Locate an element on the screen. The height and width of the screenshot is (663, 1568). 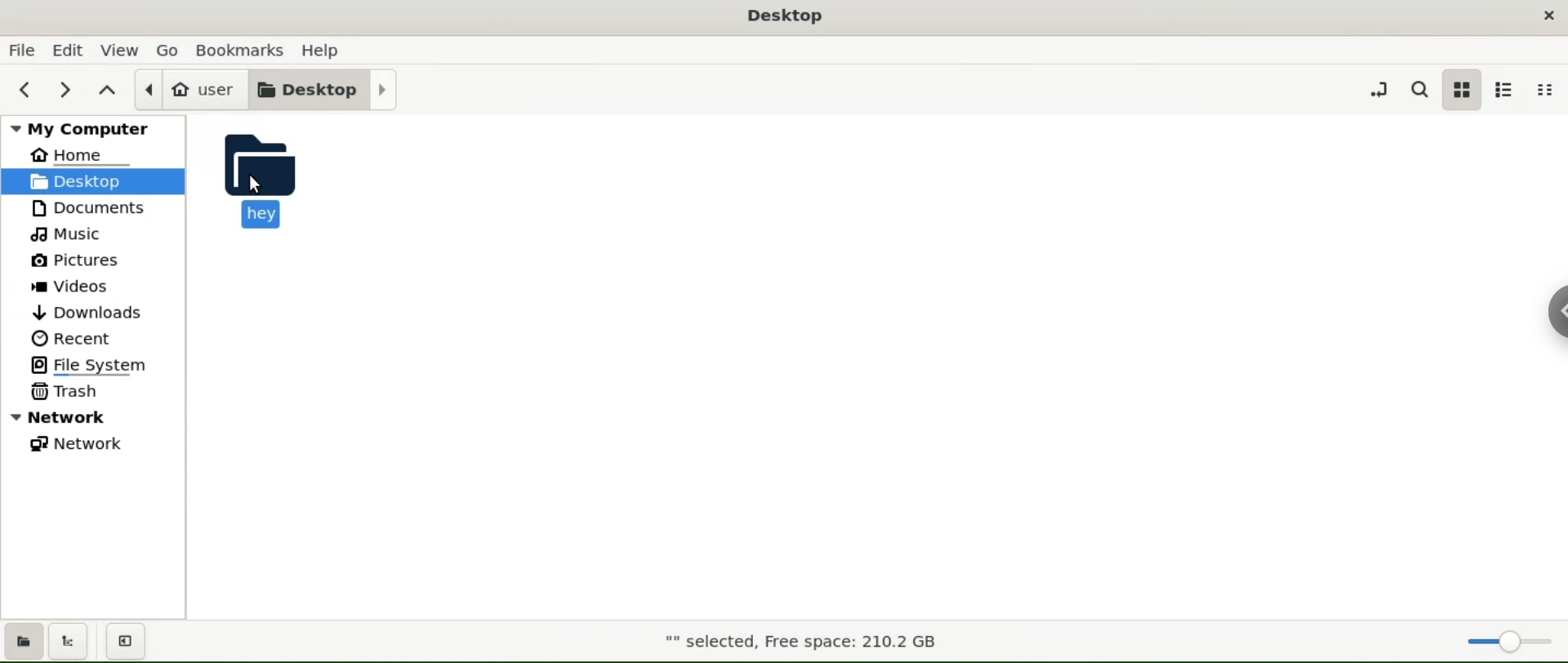
zoom is located at coordinates (1509, 638).